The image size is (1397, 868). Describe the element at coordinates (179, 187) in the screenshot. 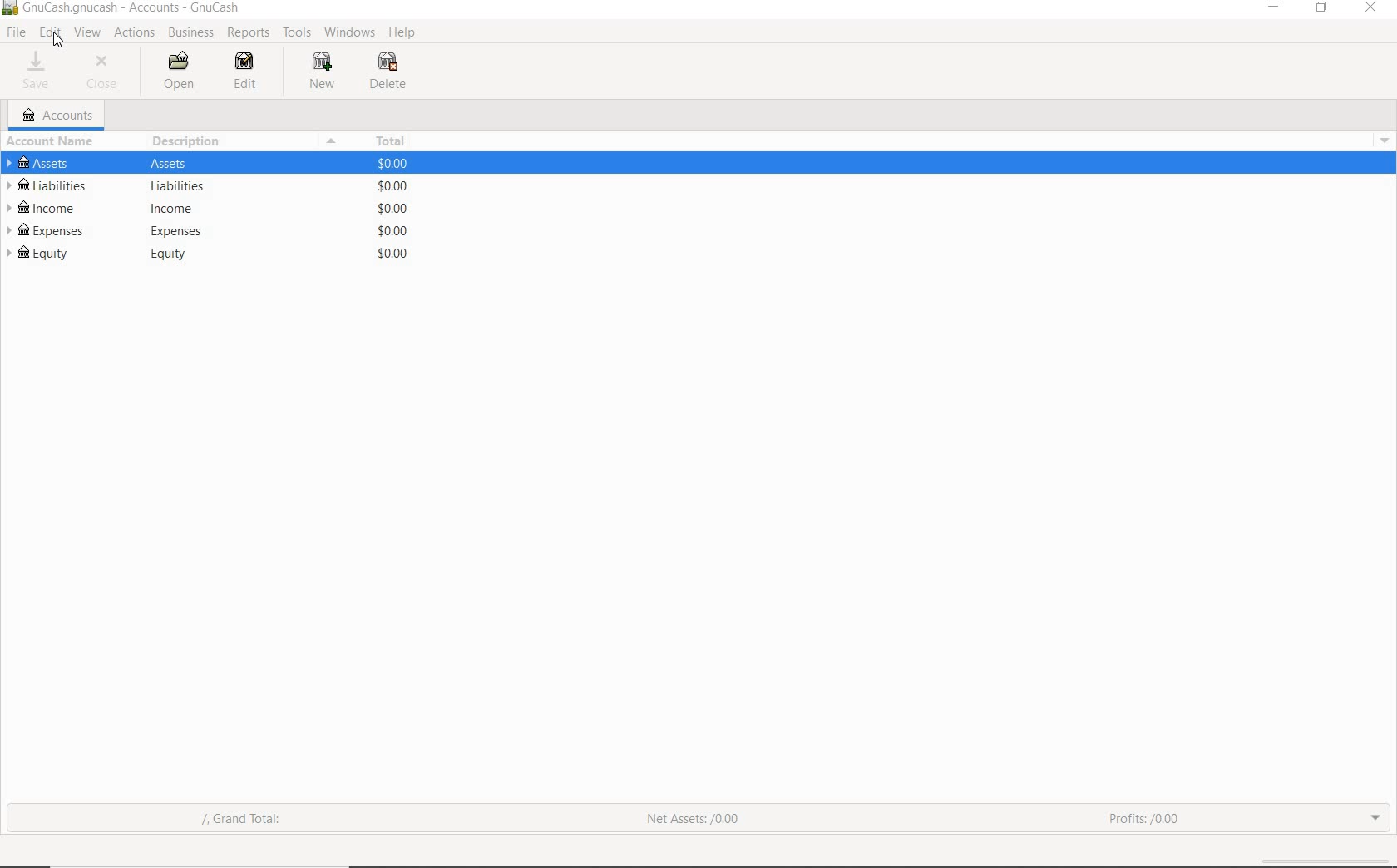

I see `` at that location.